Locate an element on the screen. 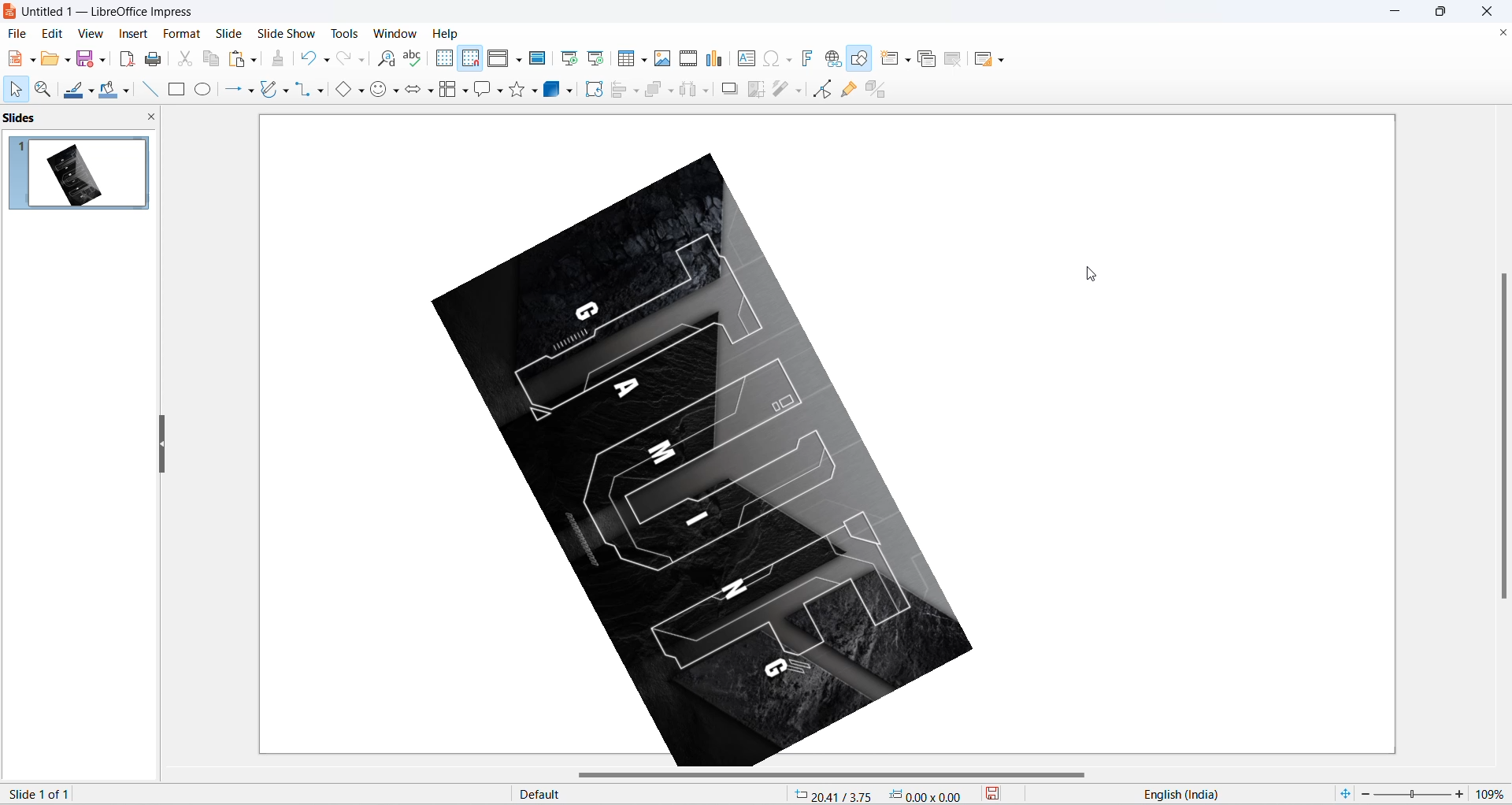 This screenshot has height=805, width=1512. flow chart options is located at coordinates (465, 92).